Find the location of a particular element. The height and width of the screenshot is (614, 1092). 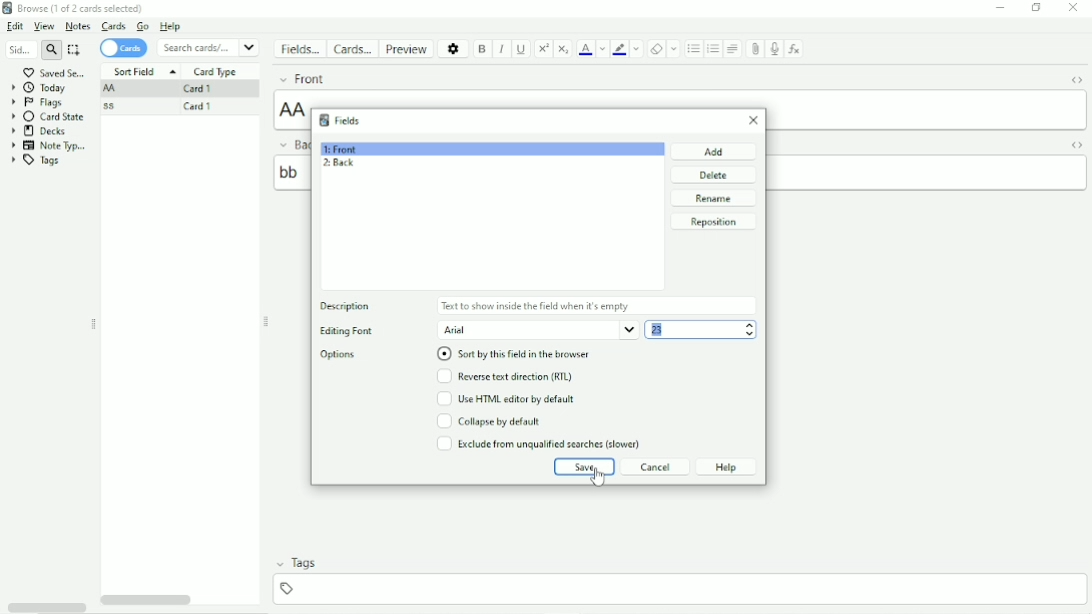

Sort by this field in the bowser is located at coordinates (521, 354).